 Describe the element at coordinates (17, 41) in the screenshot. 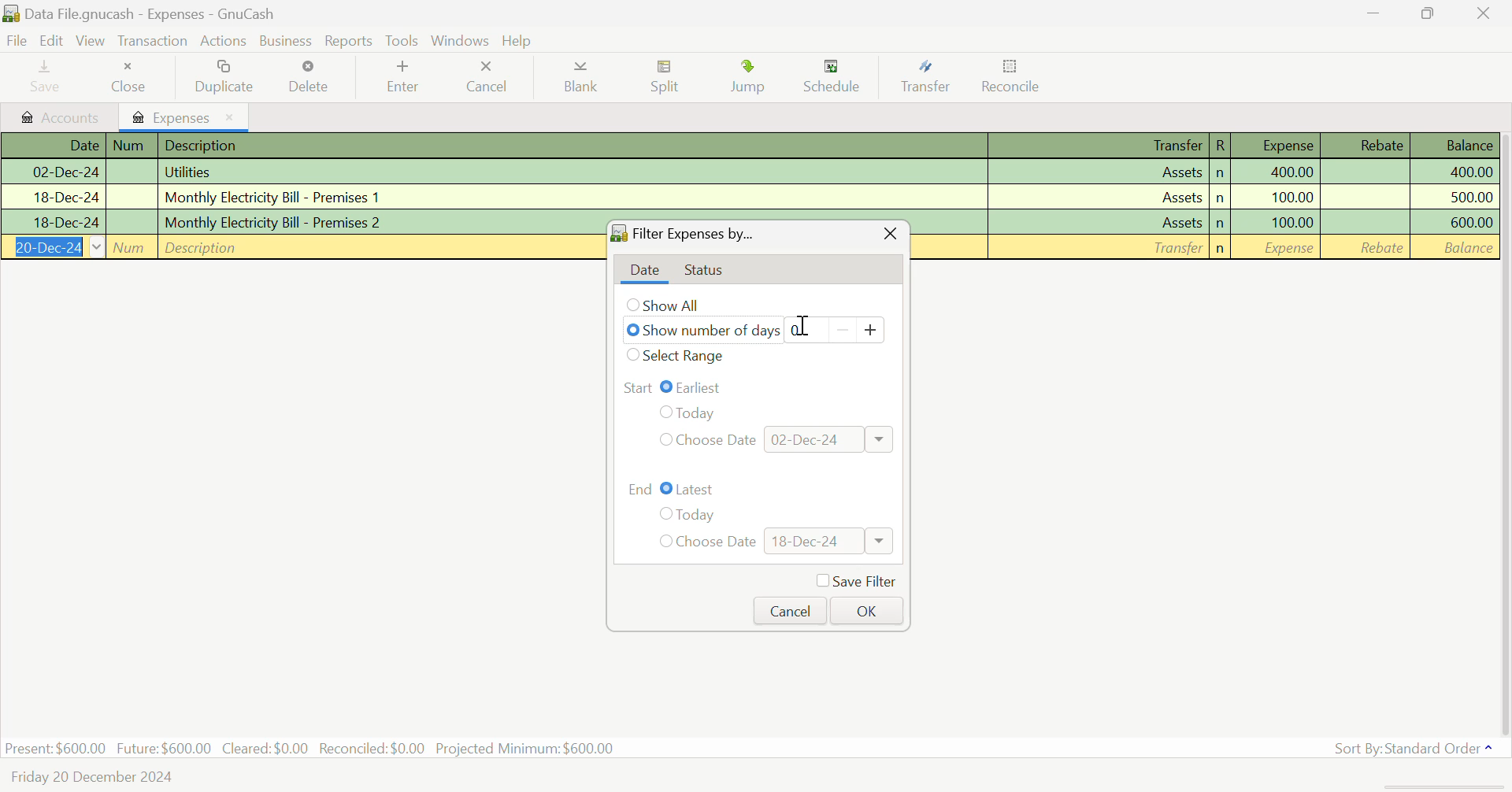

I see `File` at that location.